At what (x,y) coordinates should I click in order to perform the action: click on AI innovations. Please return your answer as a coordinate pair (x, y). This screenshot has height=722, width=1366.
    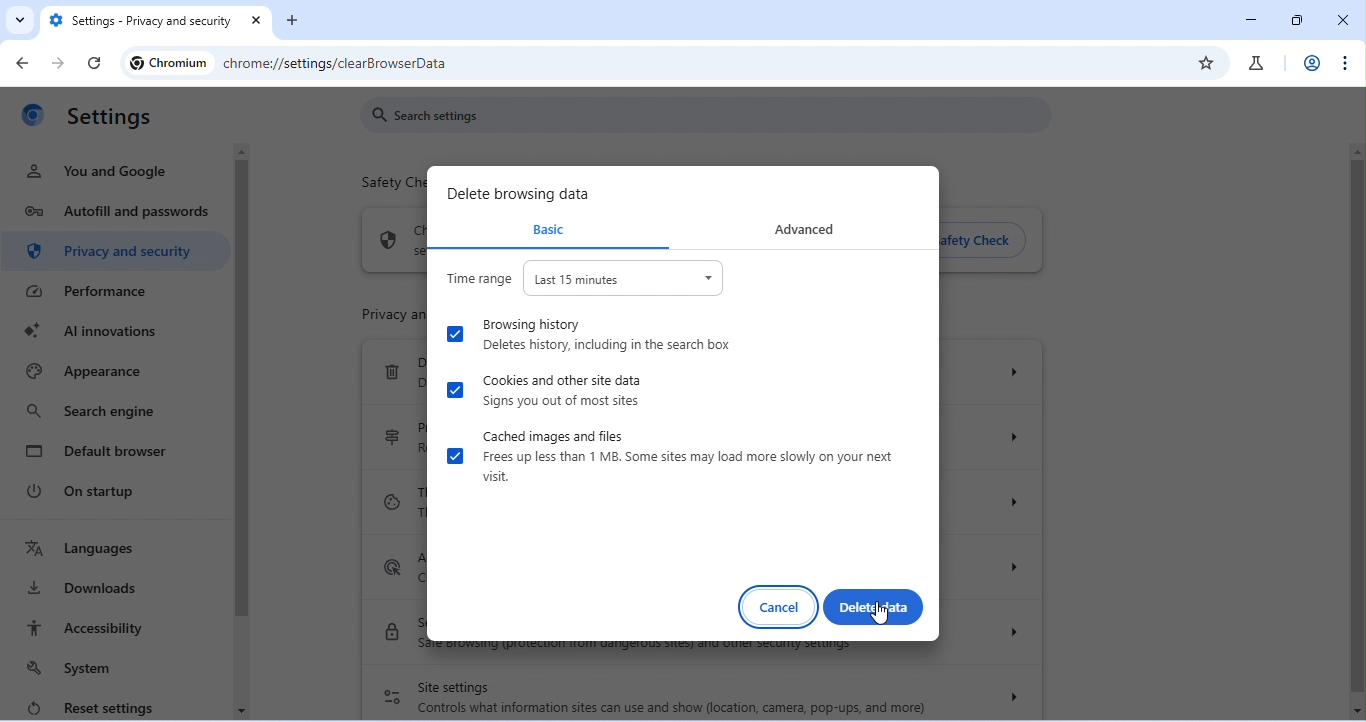
    Looking at the image, I should click on (102, 331).